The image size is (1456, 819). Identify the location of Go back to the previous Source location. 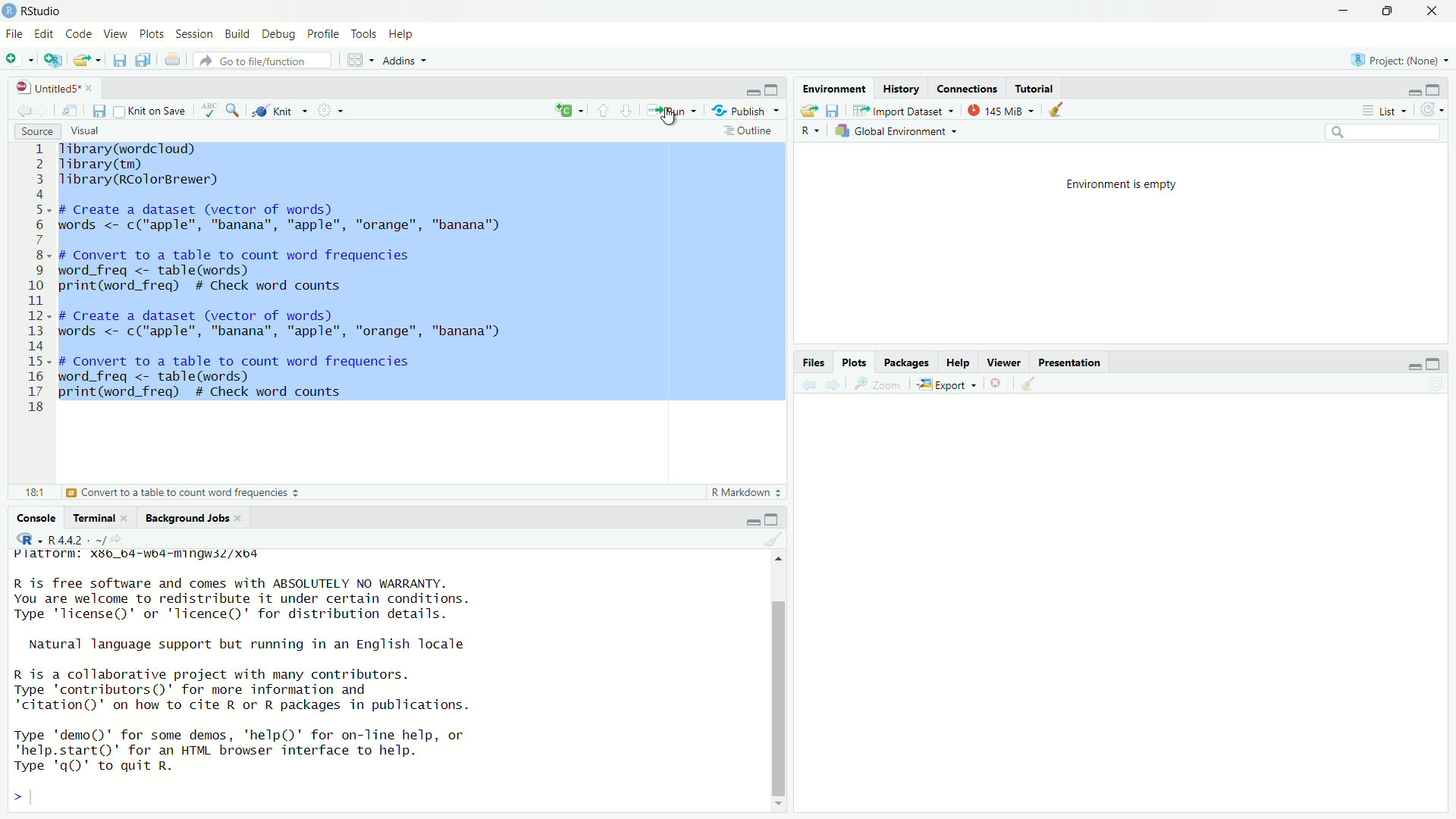
(23, 111).